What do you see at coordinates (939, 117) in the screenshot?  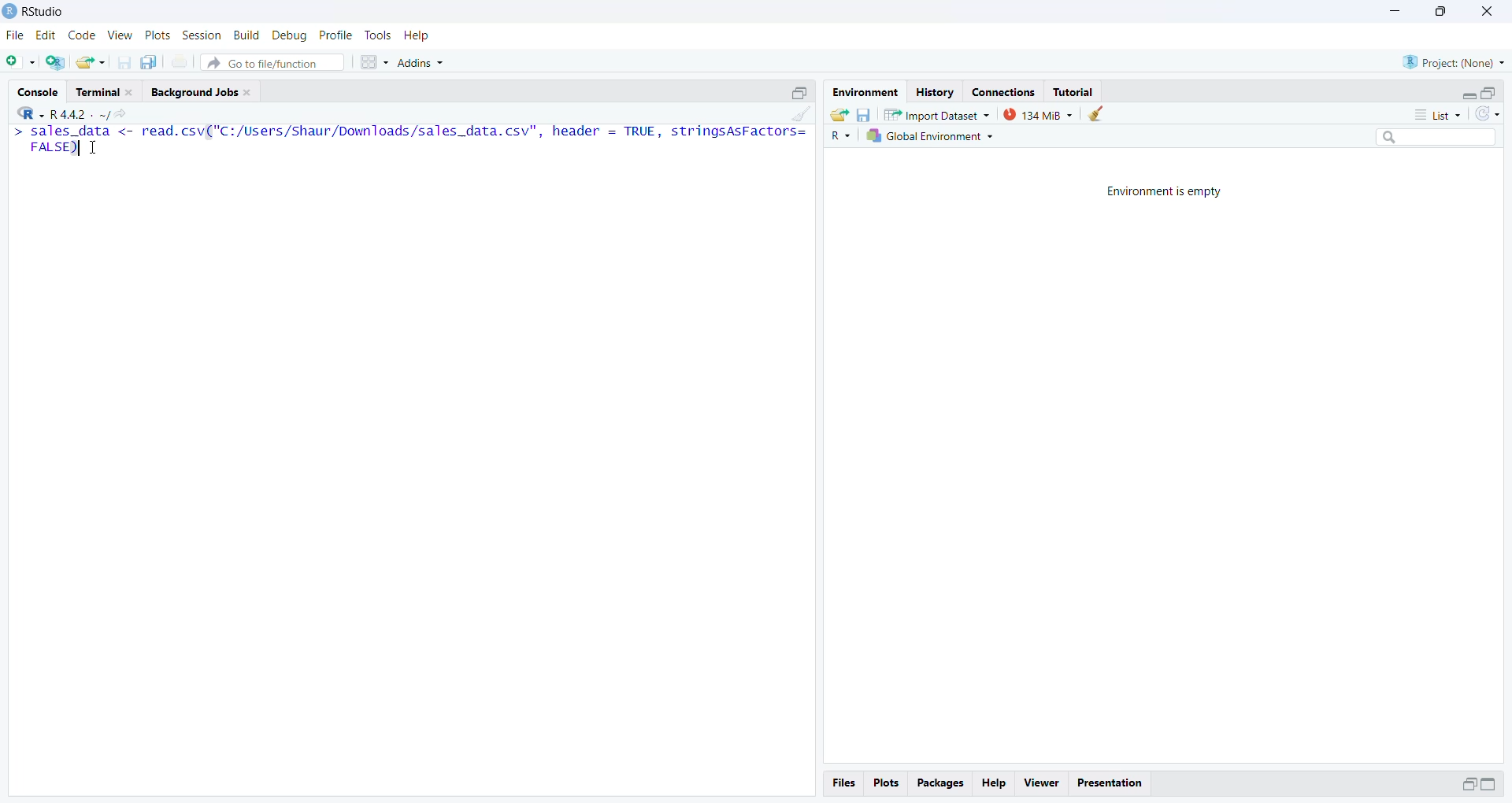 I see `Import Dataset` at bounding box center [939, 117].